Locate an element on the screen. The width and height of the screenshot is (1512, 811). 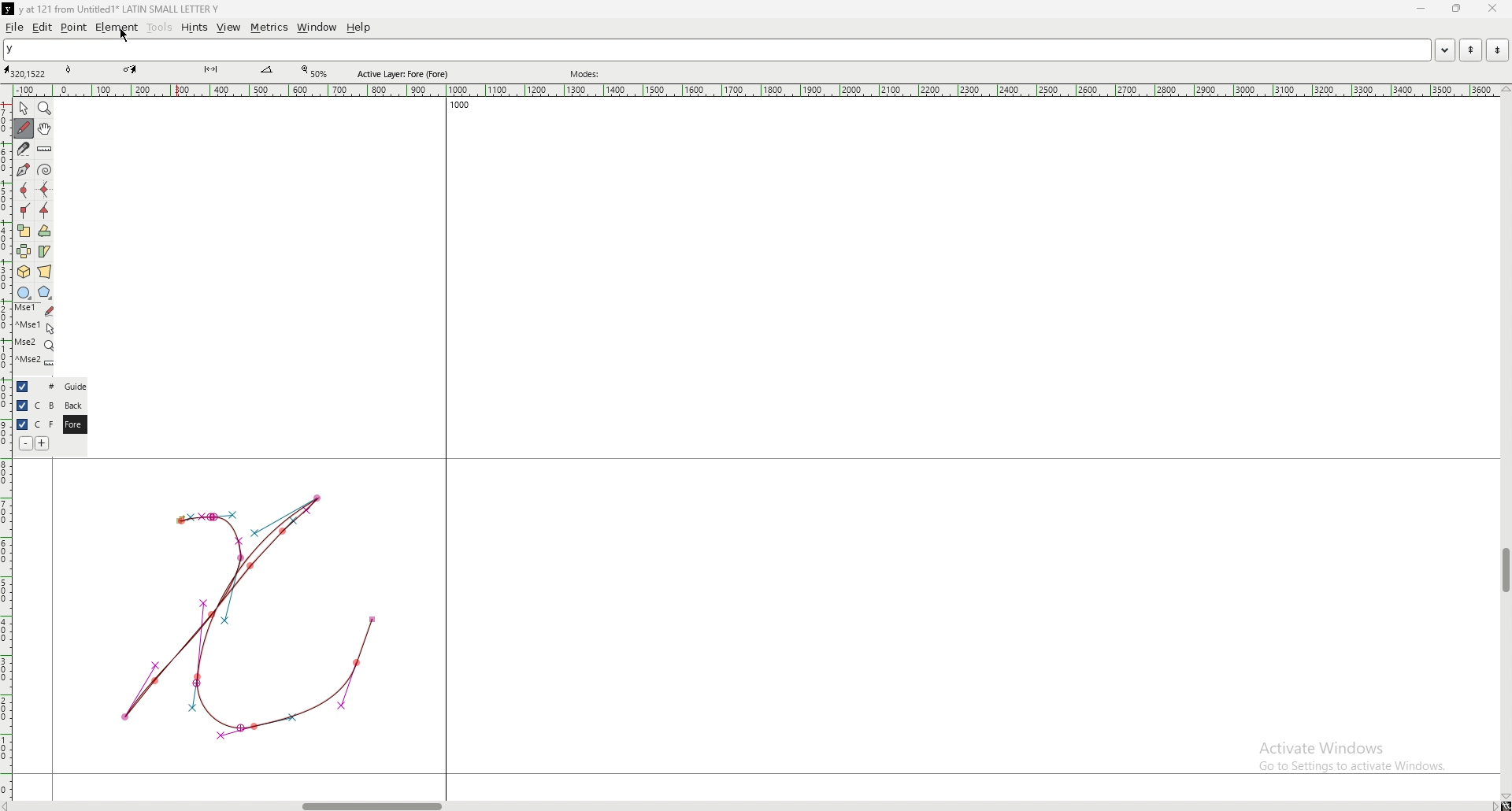
window is located at coordinates (317, 28).